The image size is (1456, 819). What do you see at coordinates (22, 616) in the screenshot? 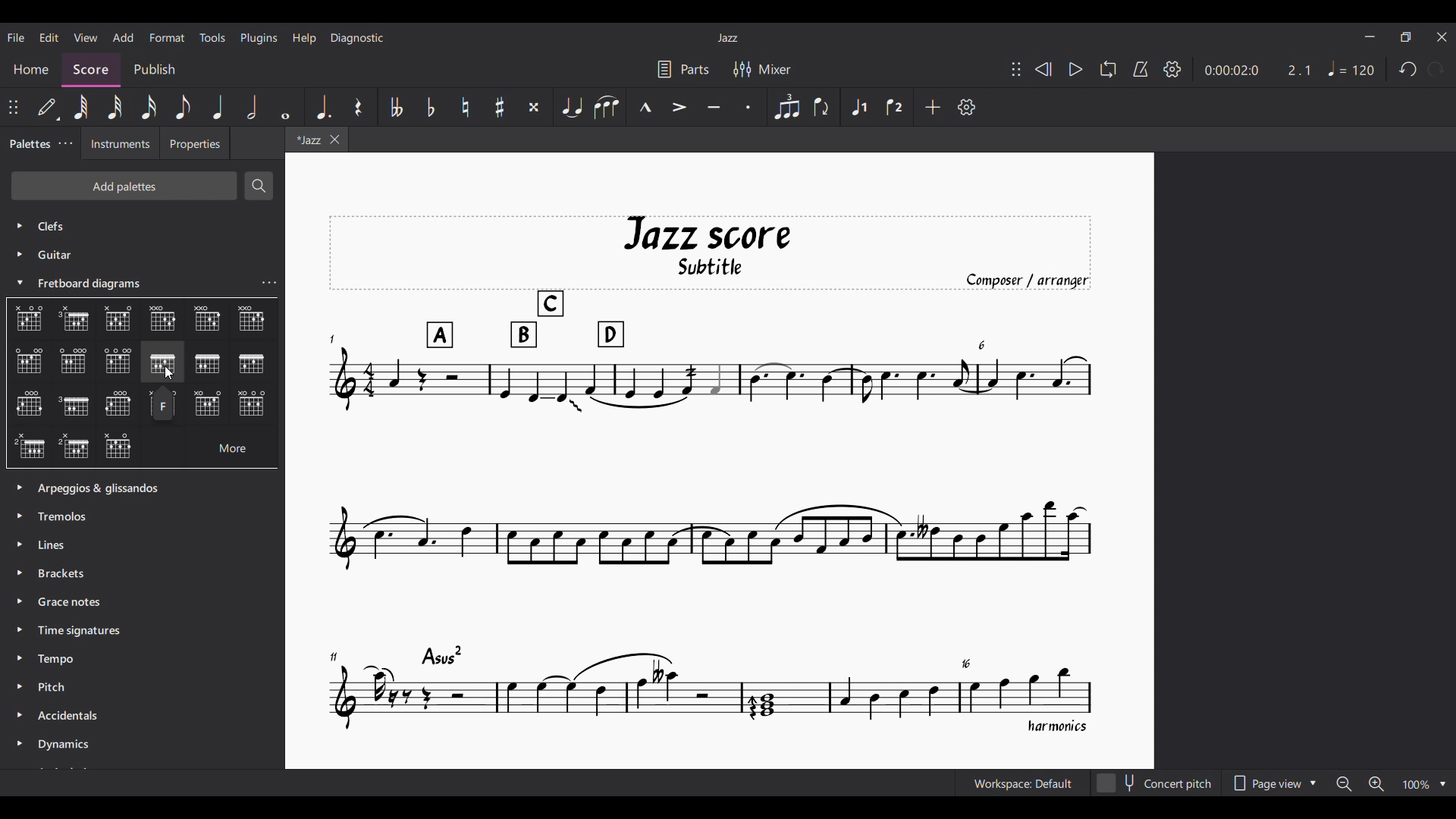
I see `Expand` at bounding box center [22, 616].